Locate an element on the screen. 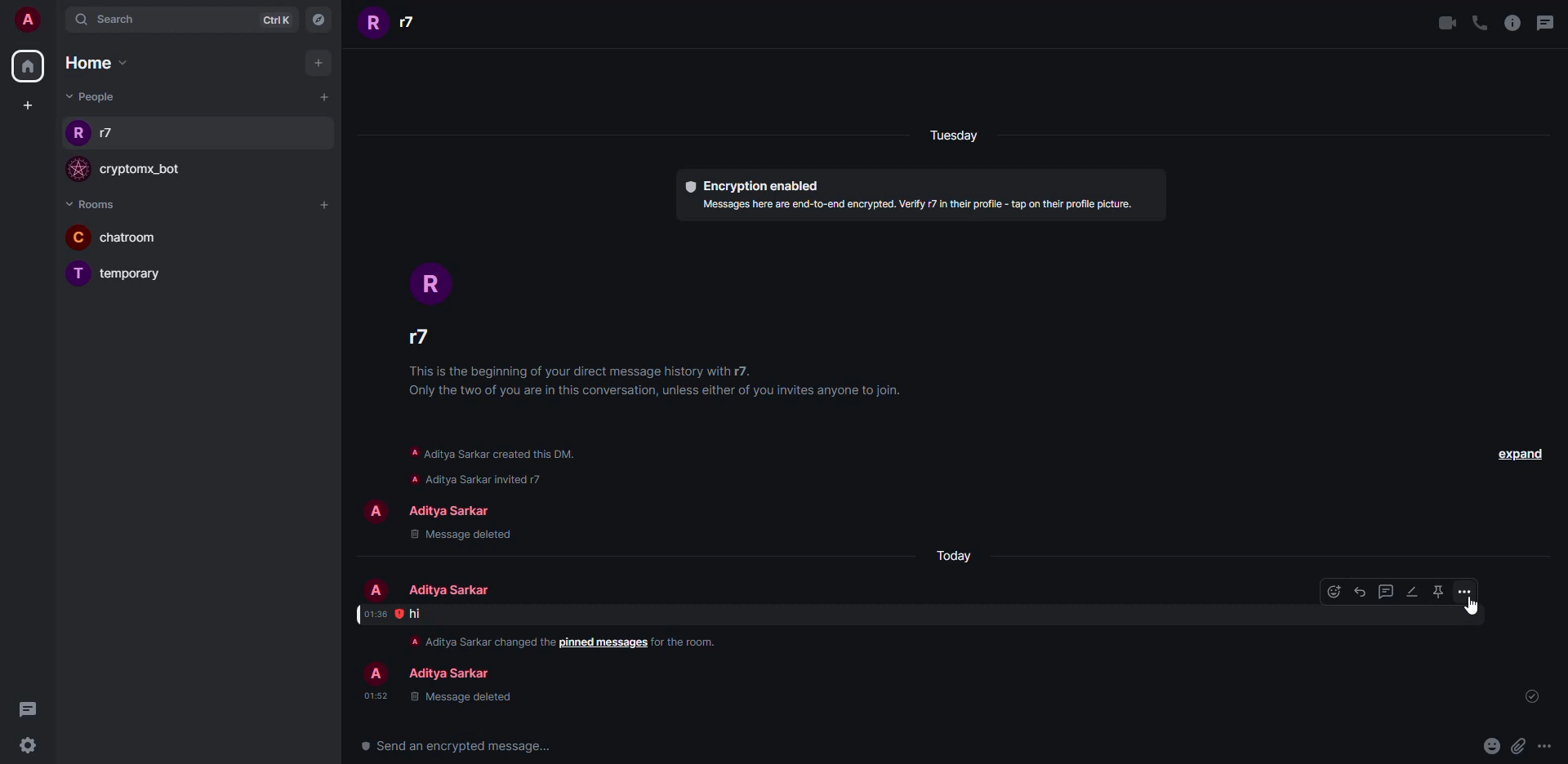 Image resolution: width=1568 pixels, height=764 pixels. people is located at coordinates (113, 134).